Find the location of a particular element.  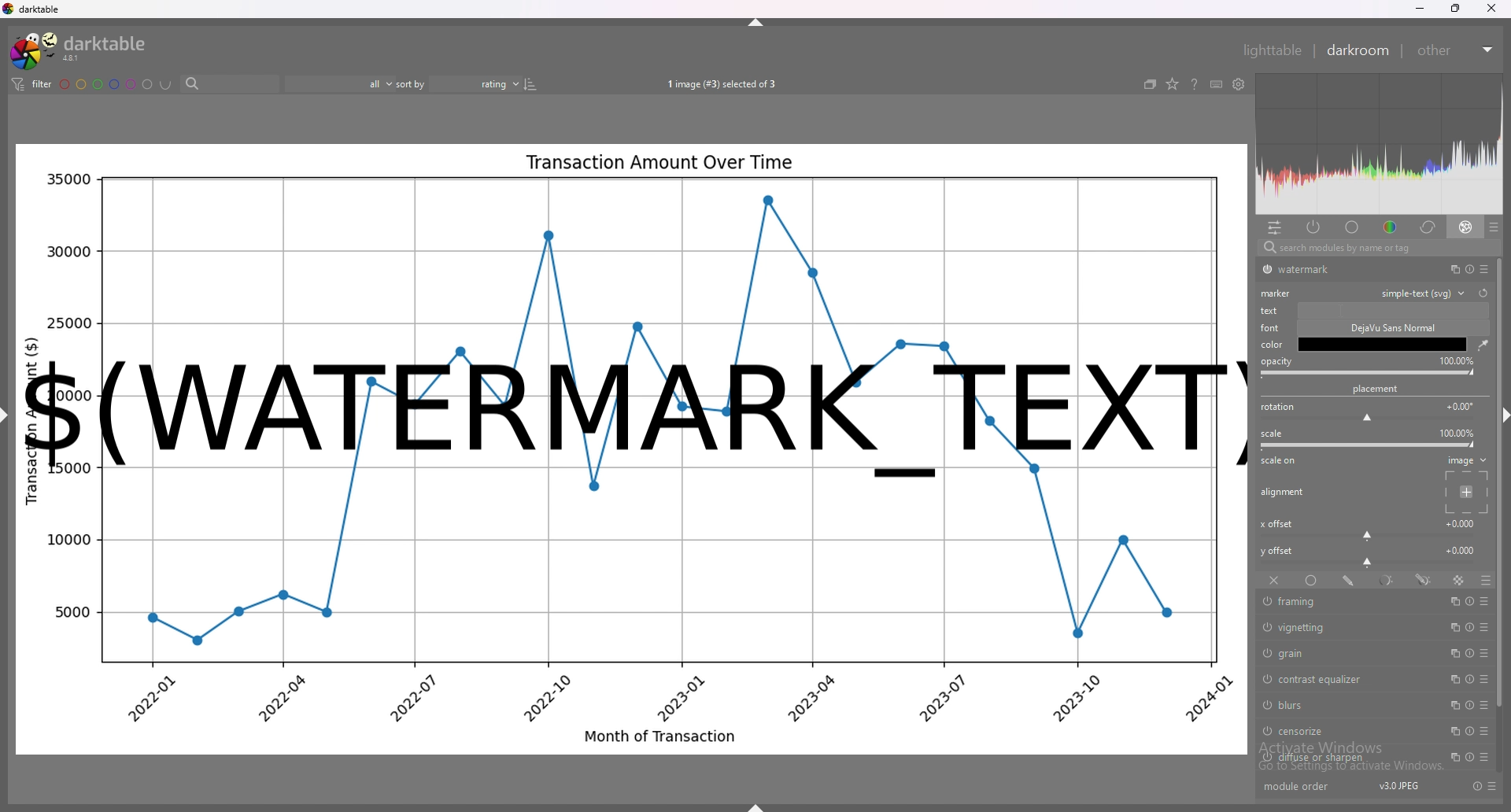

change type of overlays is located at coordinates (1173, 85).